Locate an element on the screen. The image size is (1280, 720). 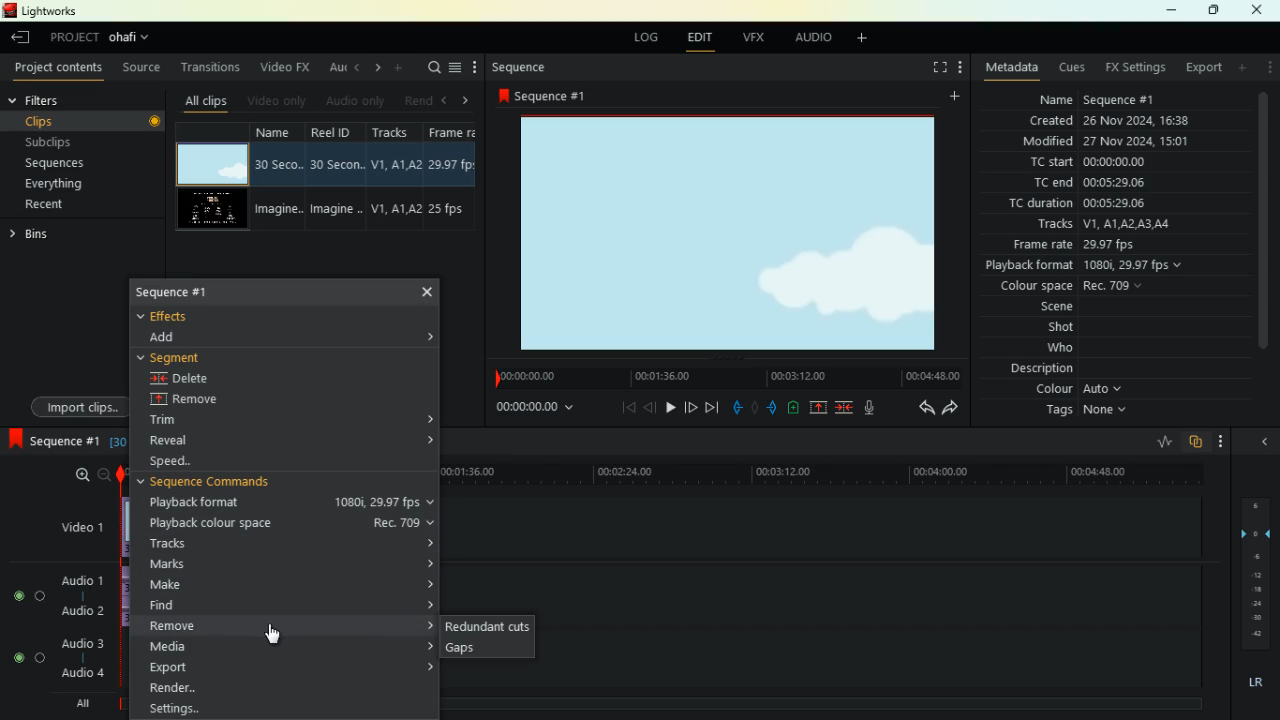
make is located at coordinates (290, 586).